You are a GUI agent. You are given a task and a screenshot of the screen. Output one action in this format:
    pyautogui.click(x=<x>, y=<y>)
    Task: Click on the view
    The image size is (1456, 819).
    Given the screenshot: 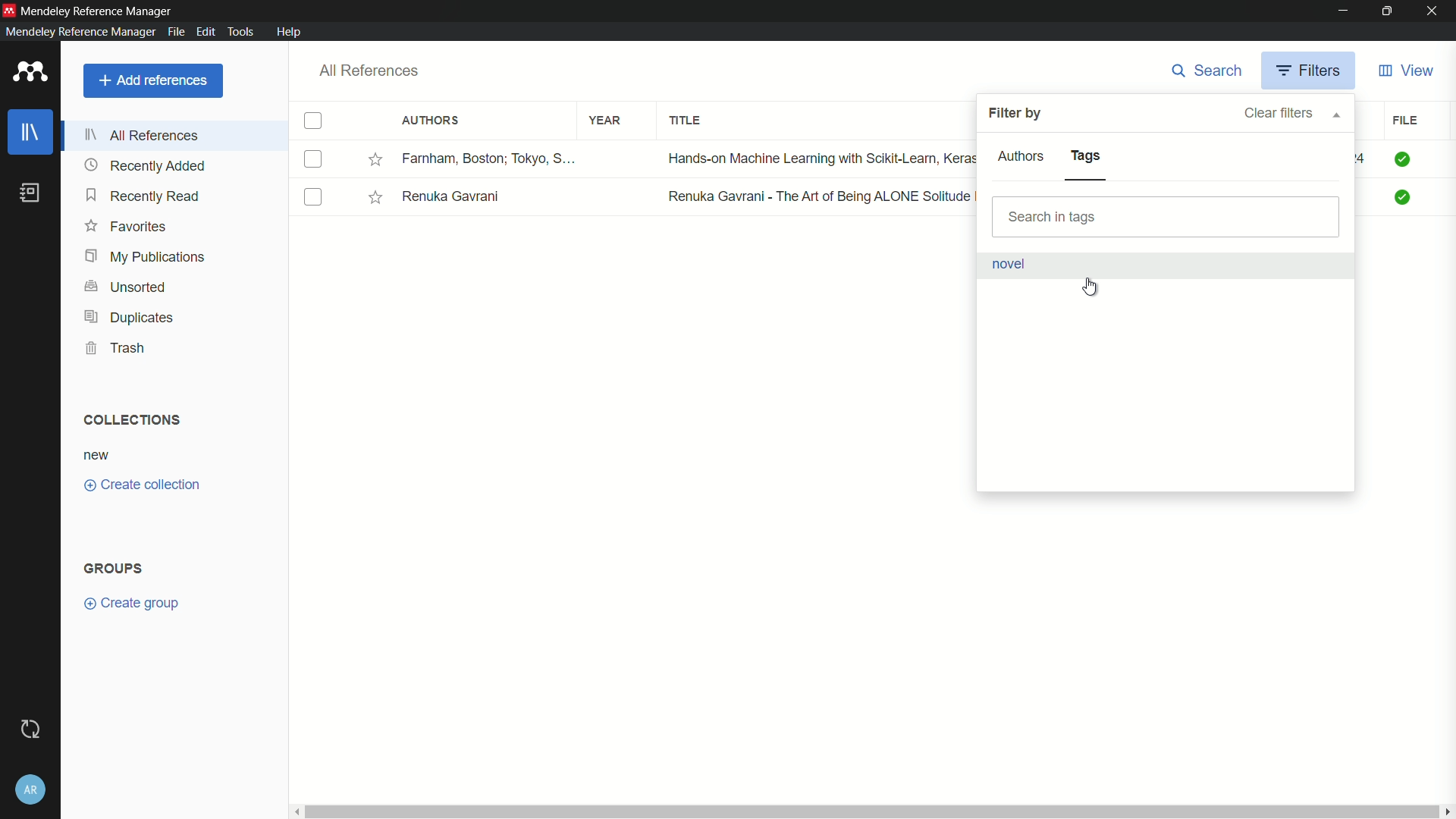 What is the action you would take?
    pyautogui.click(x=1407, y=72)
    